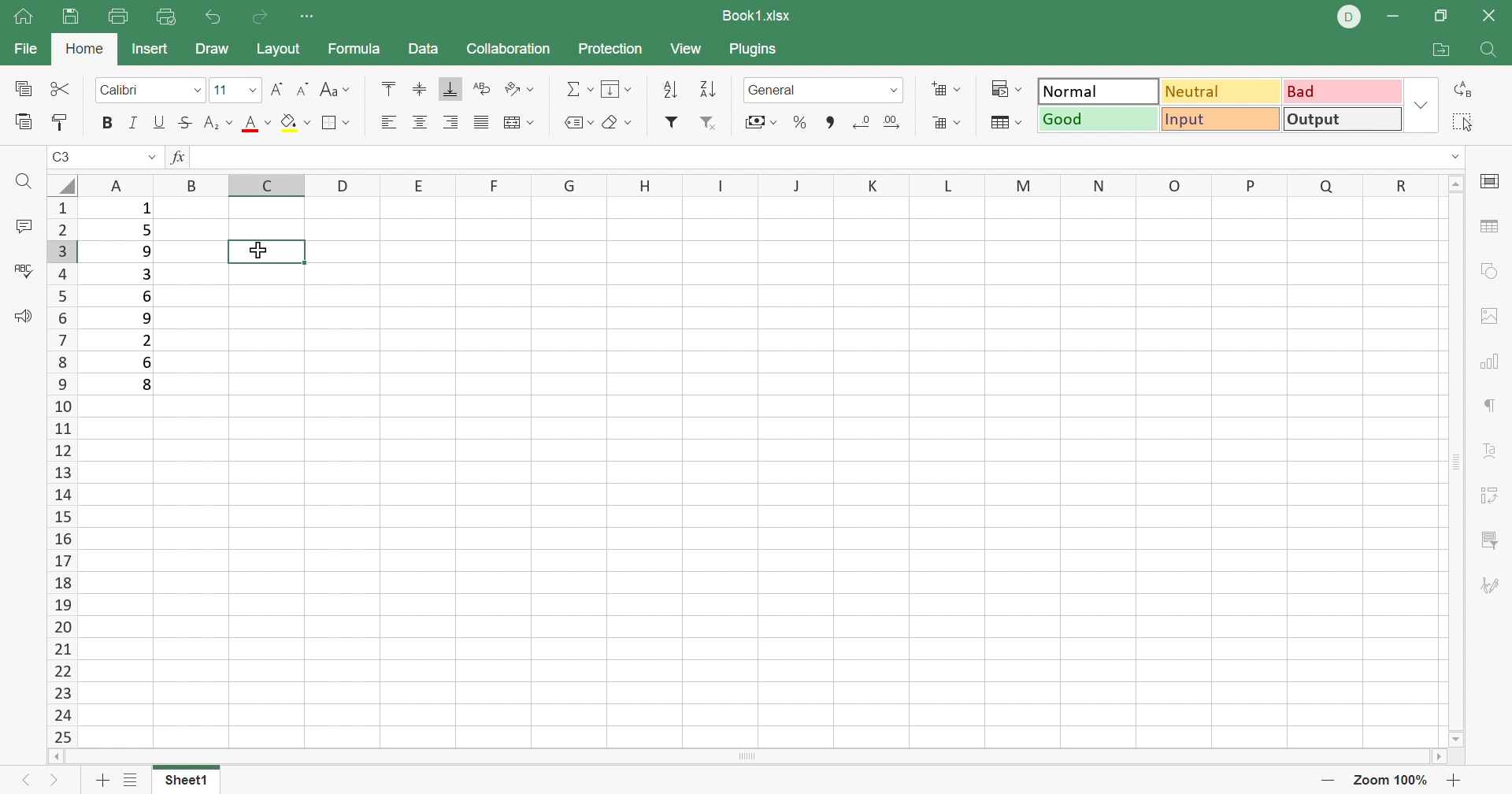  Describe the element at coordinates (1488, 493) in the screenshot. I see `Pivot Table  settings` at that location.